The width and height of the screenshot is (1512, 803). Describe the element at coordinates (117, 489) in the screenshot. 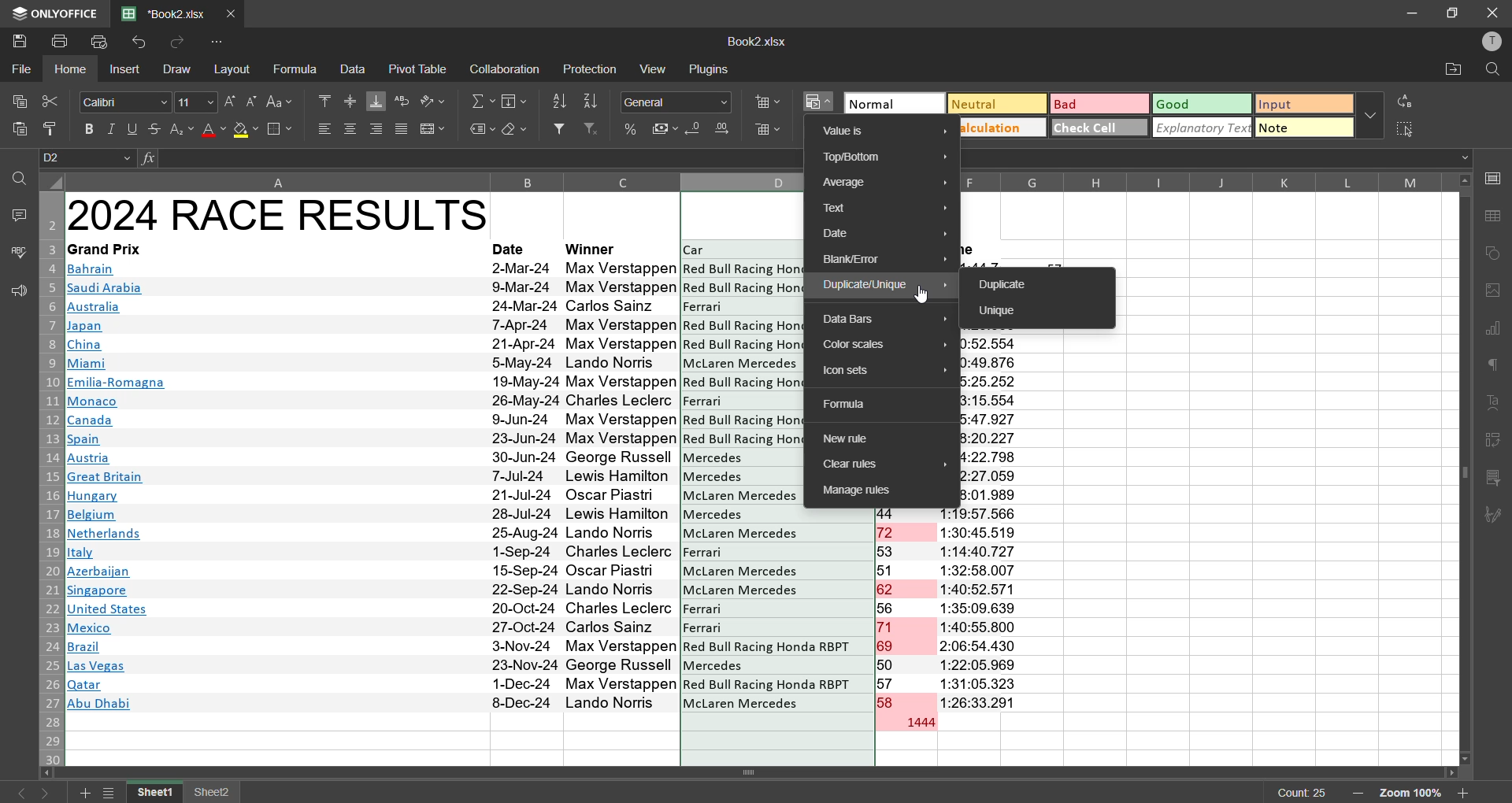

I see `Country` at that location.